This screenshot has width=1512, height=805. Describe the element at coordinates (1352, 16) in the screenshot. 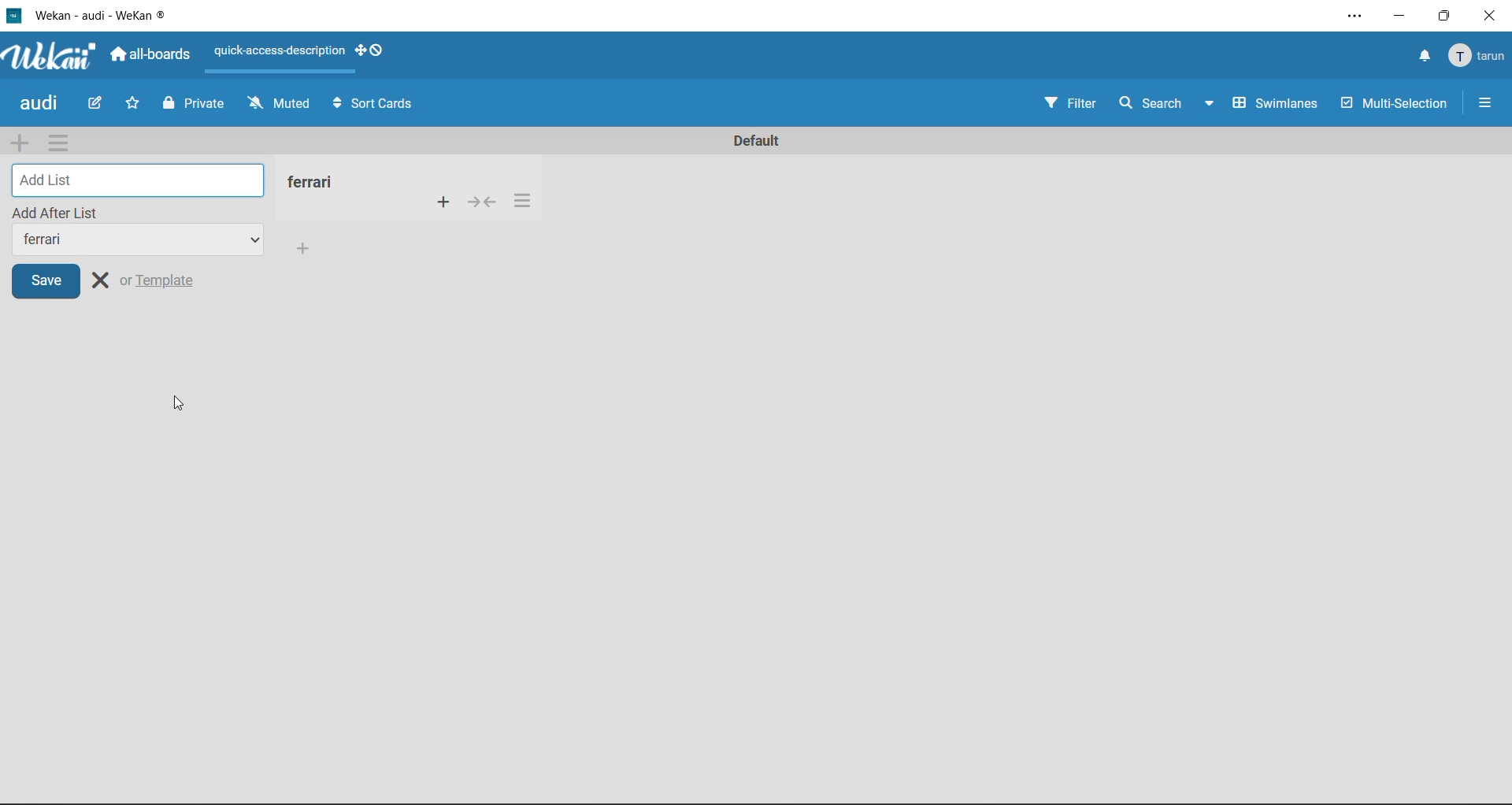

I see `settings` at that location.